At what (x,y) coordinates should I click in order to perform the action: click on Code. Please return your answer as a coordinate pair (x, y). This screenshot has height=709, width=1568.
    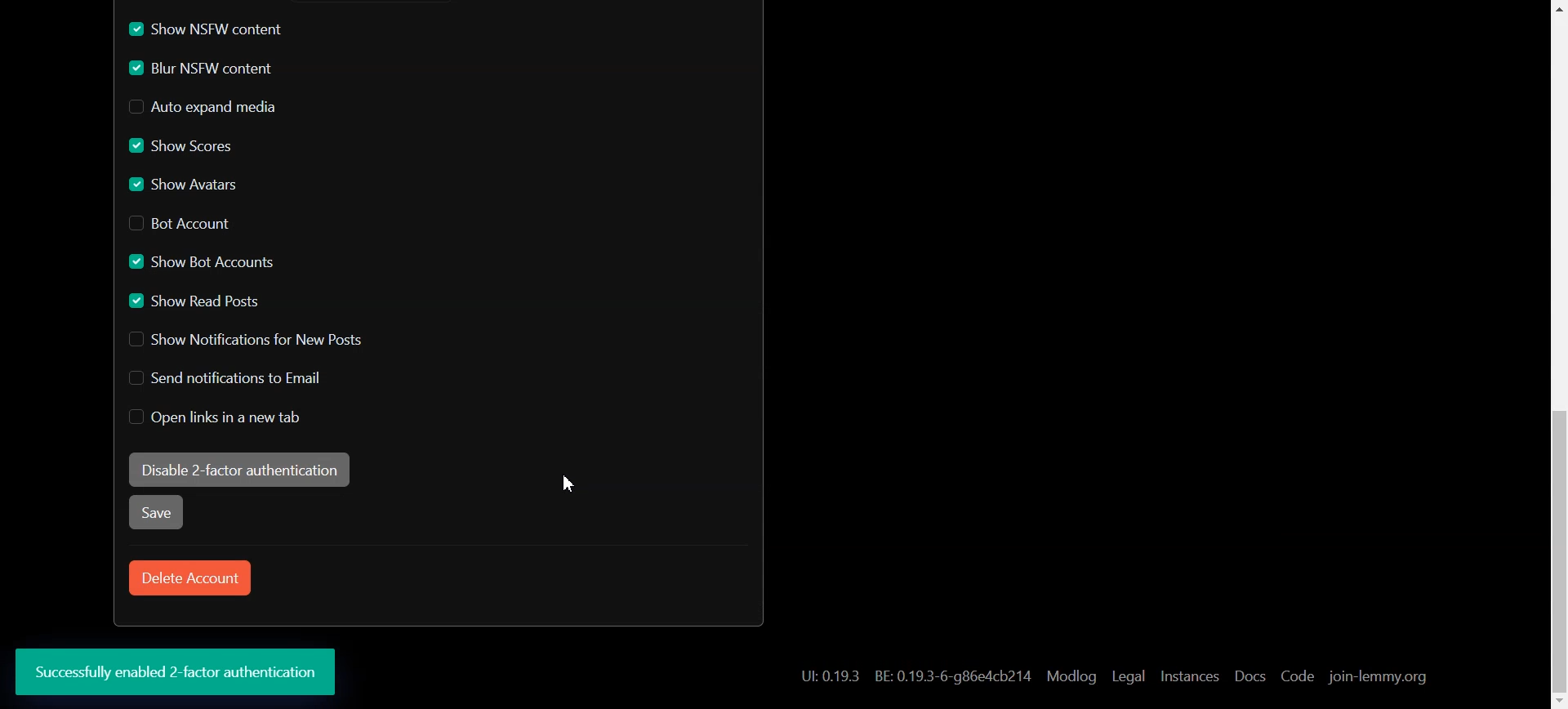
    Looking at the image, I should click on (1298, 676).